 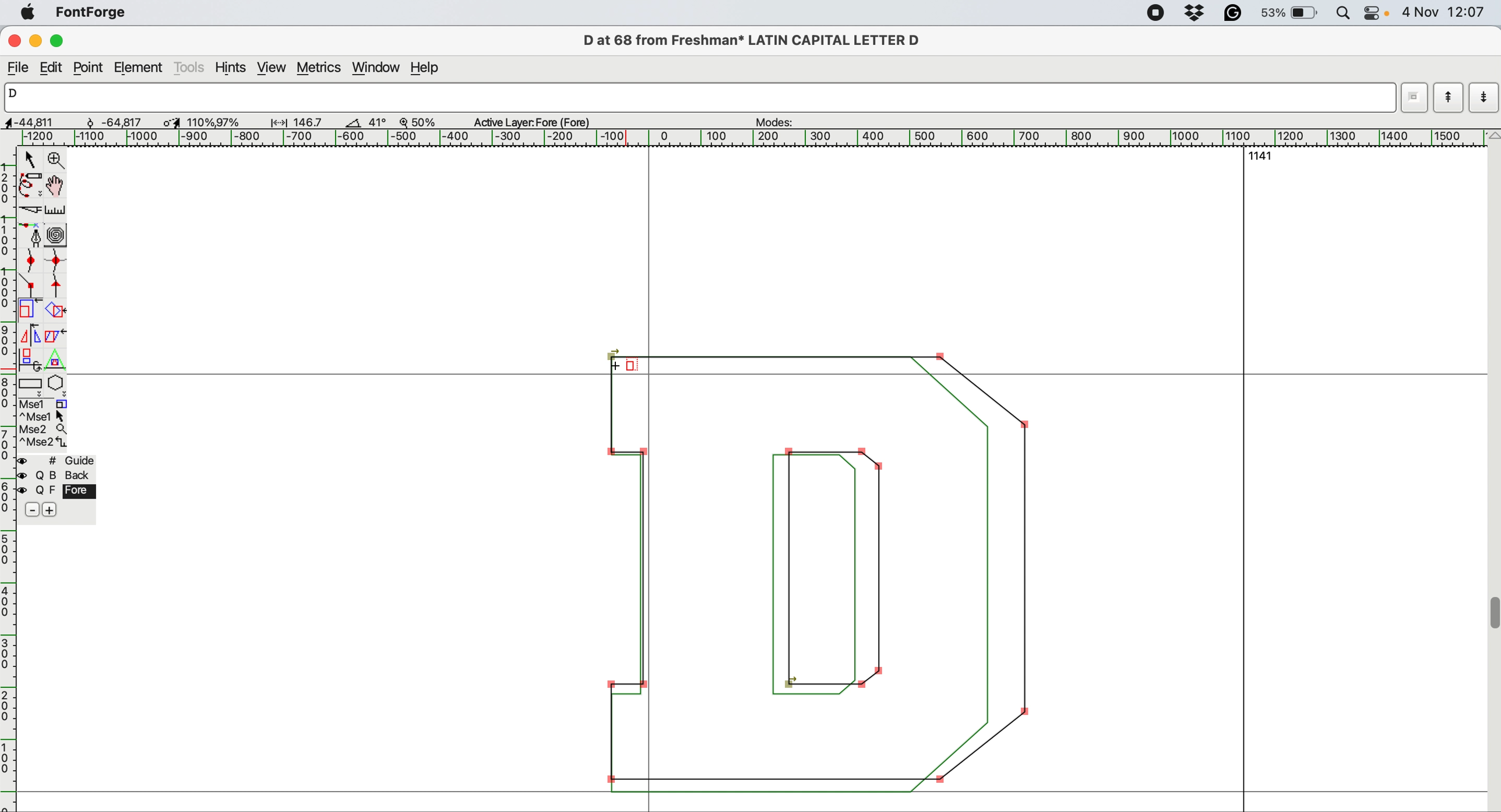 What do you see at coordinates (51, 510) in the screenshot?
I see `add` at bounding box center [51, 510].